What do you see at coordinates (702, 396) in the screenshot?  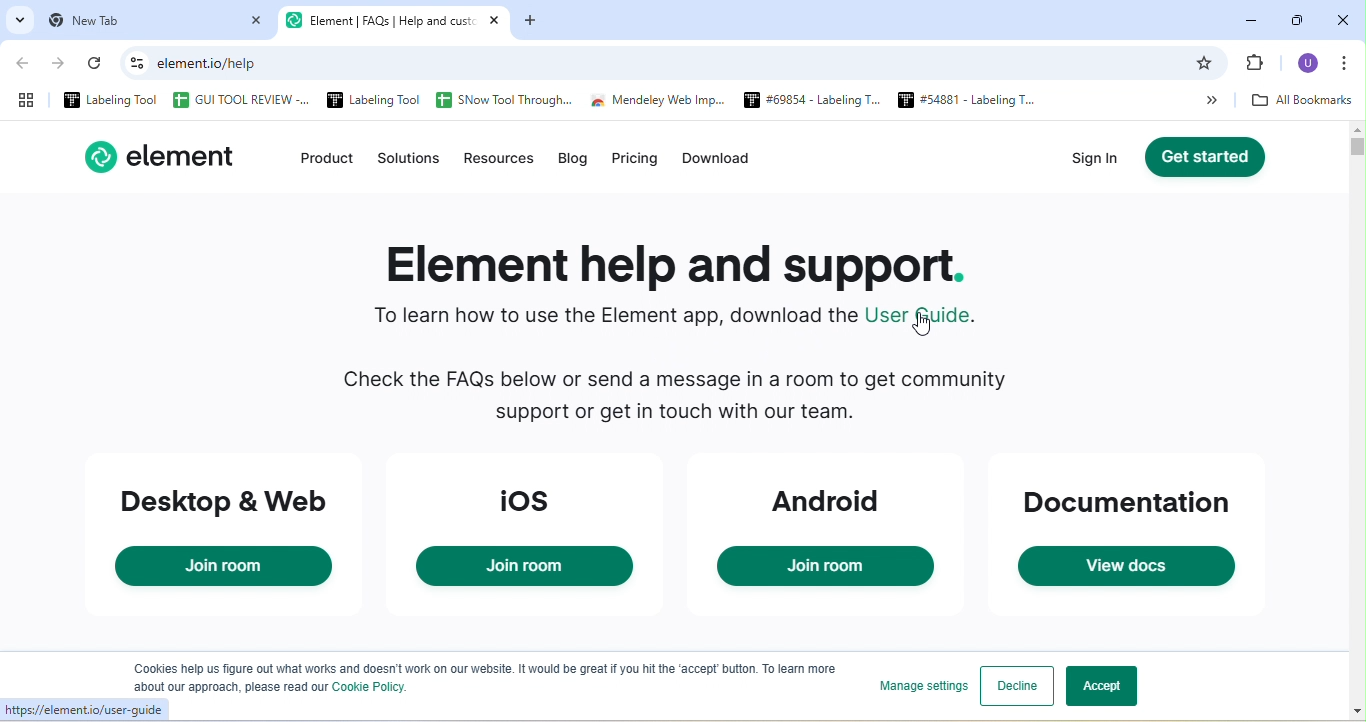 I see `Check the FAQs below or send a message in a room to get community
support or get in touch with our team.` at bounding box center [702, 396].